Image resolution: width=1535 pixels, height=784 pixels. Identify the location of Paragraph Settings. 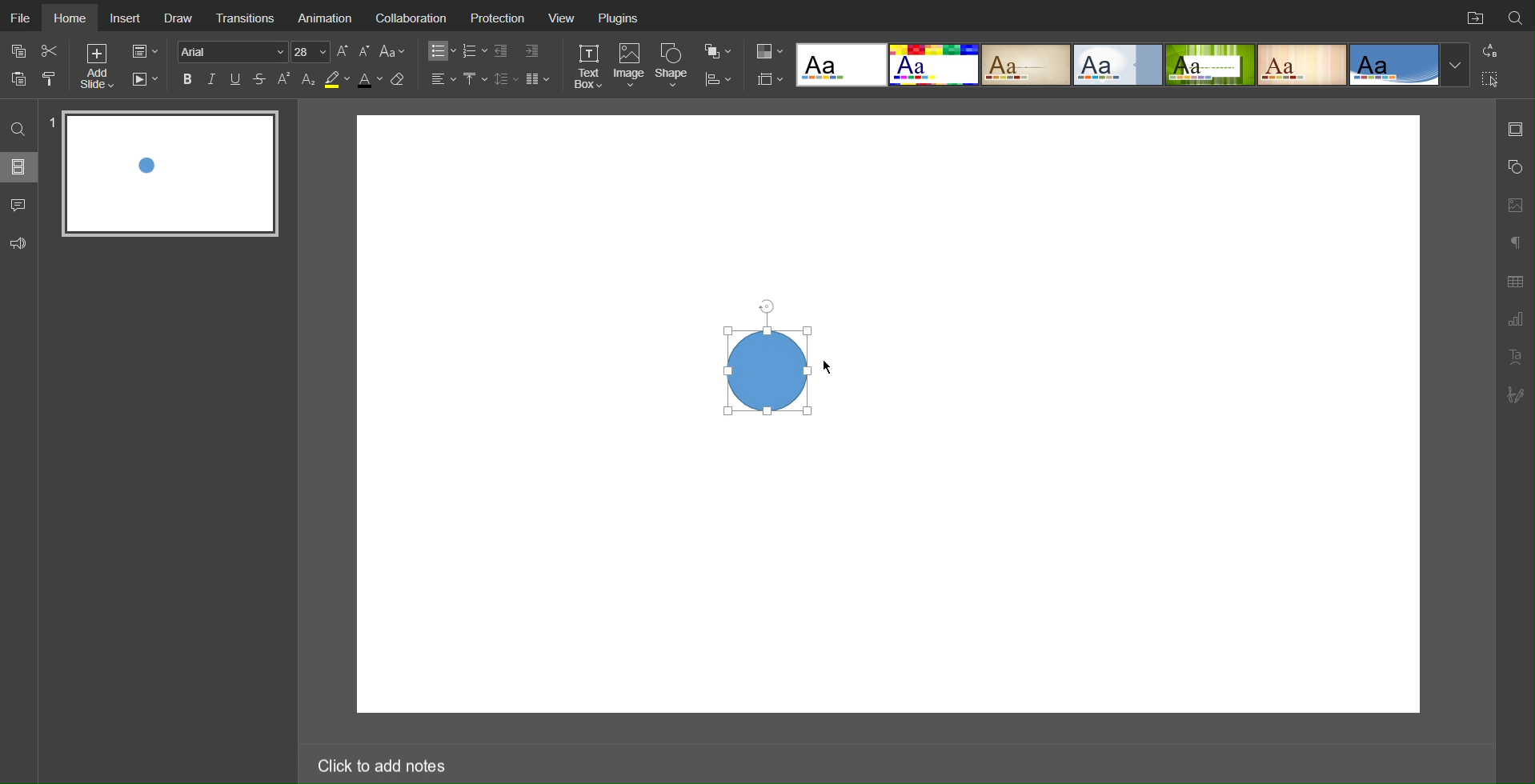
(1514, 240).